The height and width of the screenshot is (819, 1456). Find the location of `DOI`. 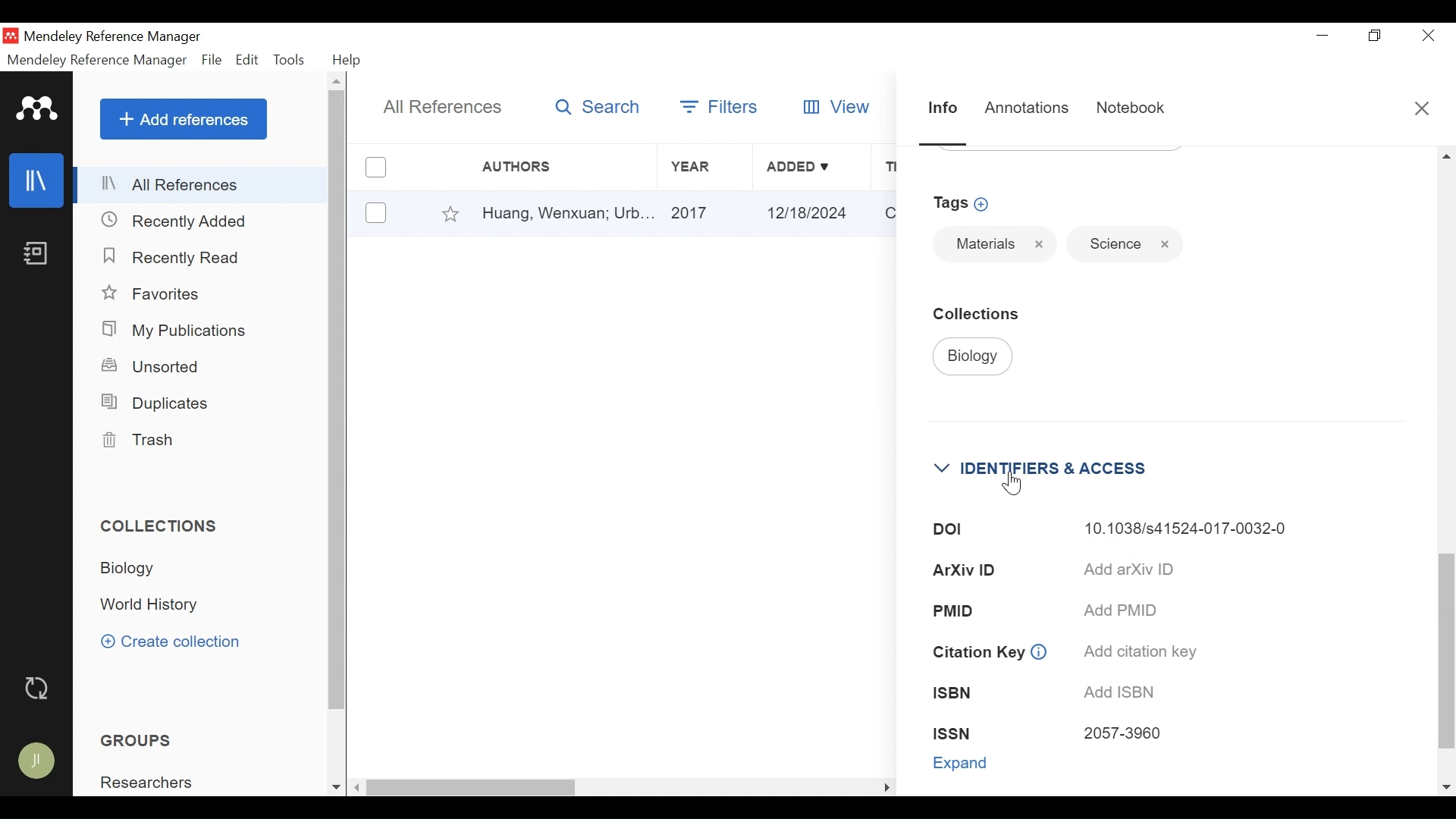

DOI is located at coordinates (947, 530).